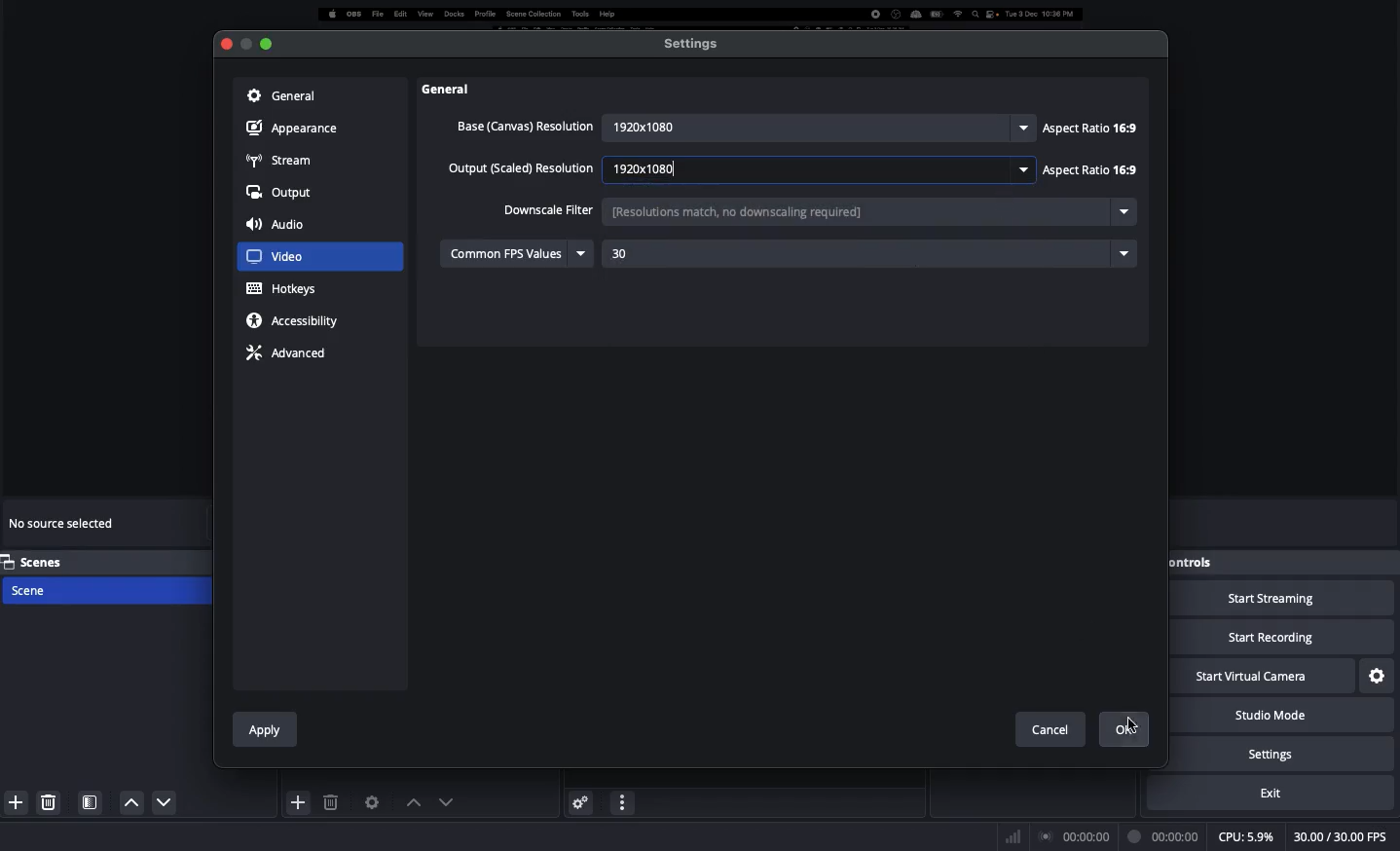  What do you see at coordinates (1245, 837) in the screenshot?
I see `CPU` at bounding box center [1245, 837].